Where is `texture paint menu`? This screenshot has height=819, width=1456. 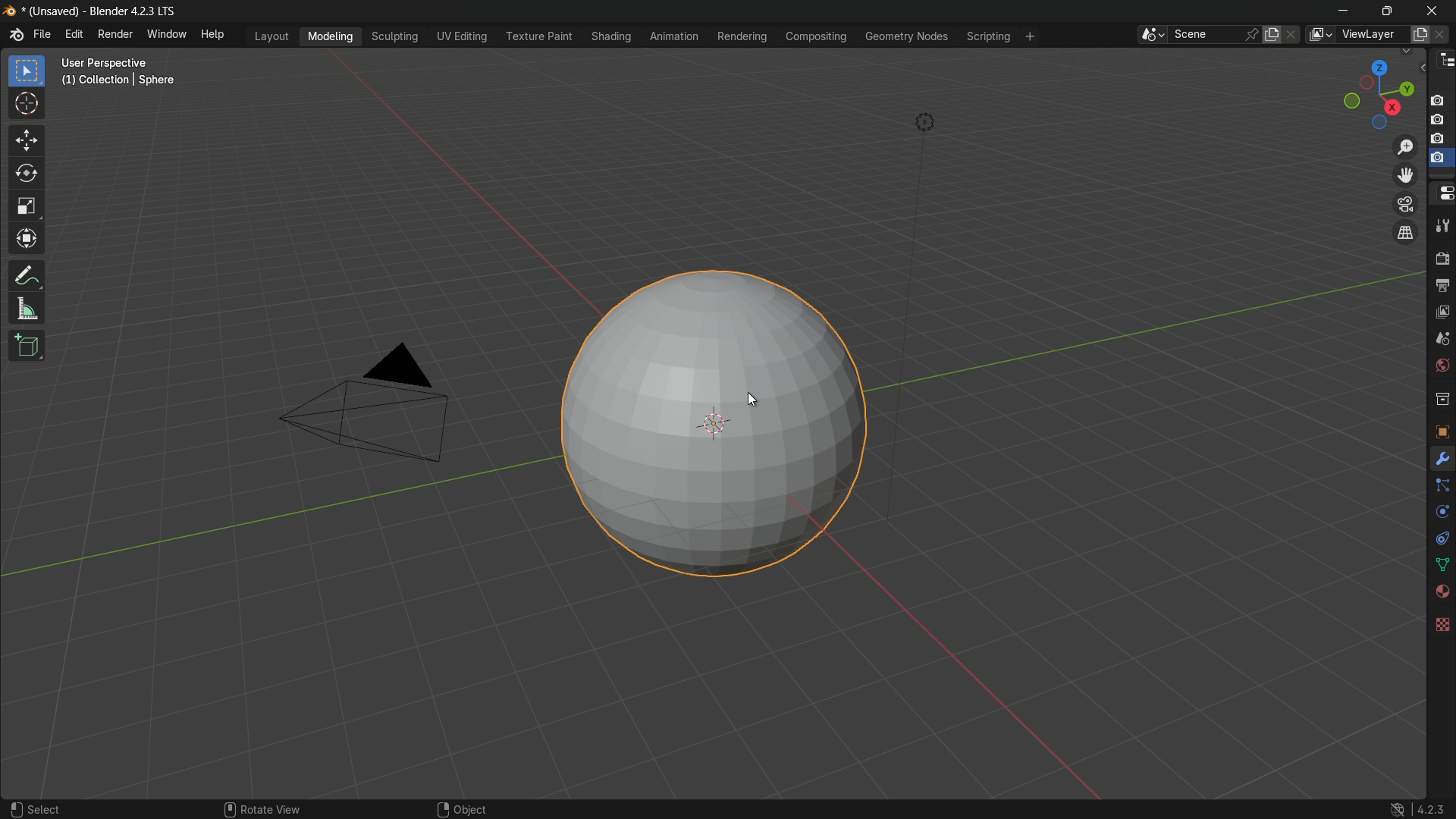 texture paint menu is located at coordinates (538, 36).